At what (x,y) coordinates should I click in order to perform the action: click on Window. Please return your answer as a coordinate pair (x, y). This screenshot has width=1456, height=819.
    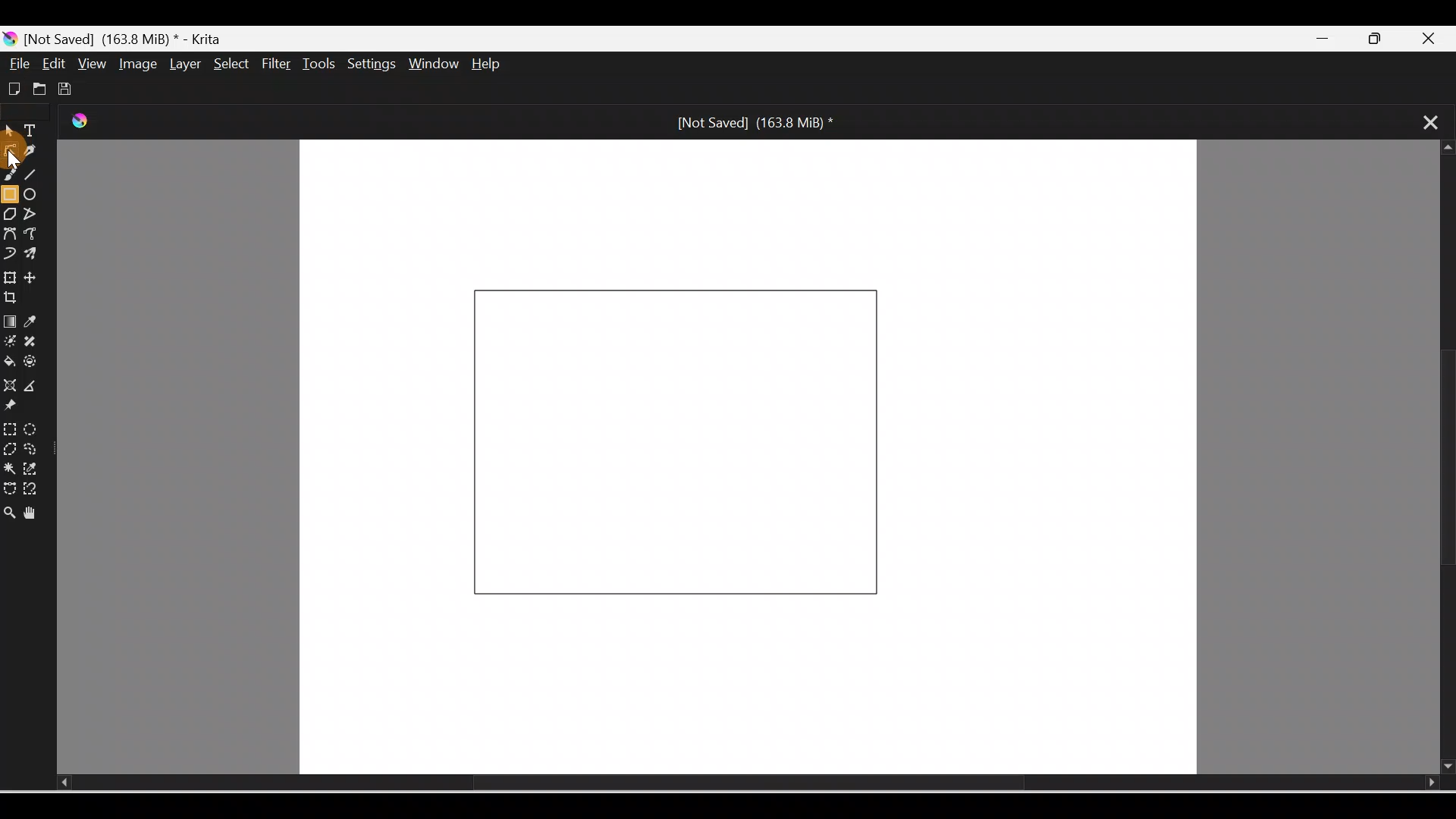
    Looking at the image, I should click on (436, 65).